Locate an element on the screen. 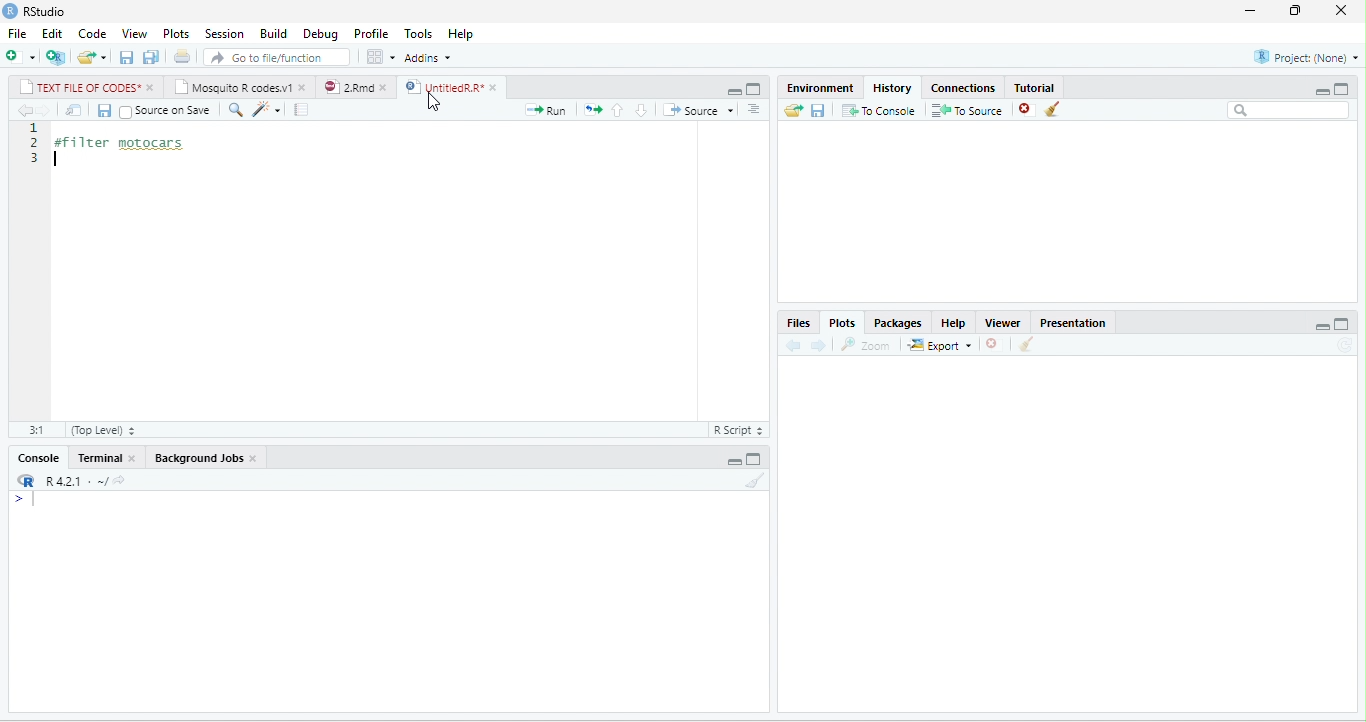 Image resolution: width=1366 pixels, height=722 pixels. Viewer is located at coordinates (1002, 323).